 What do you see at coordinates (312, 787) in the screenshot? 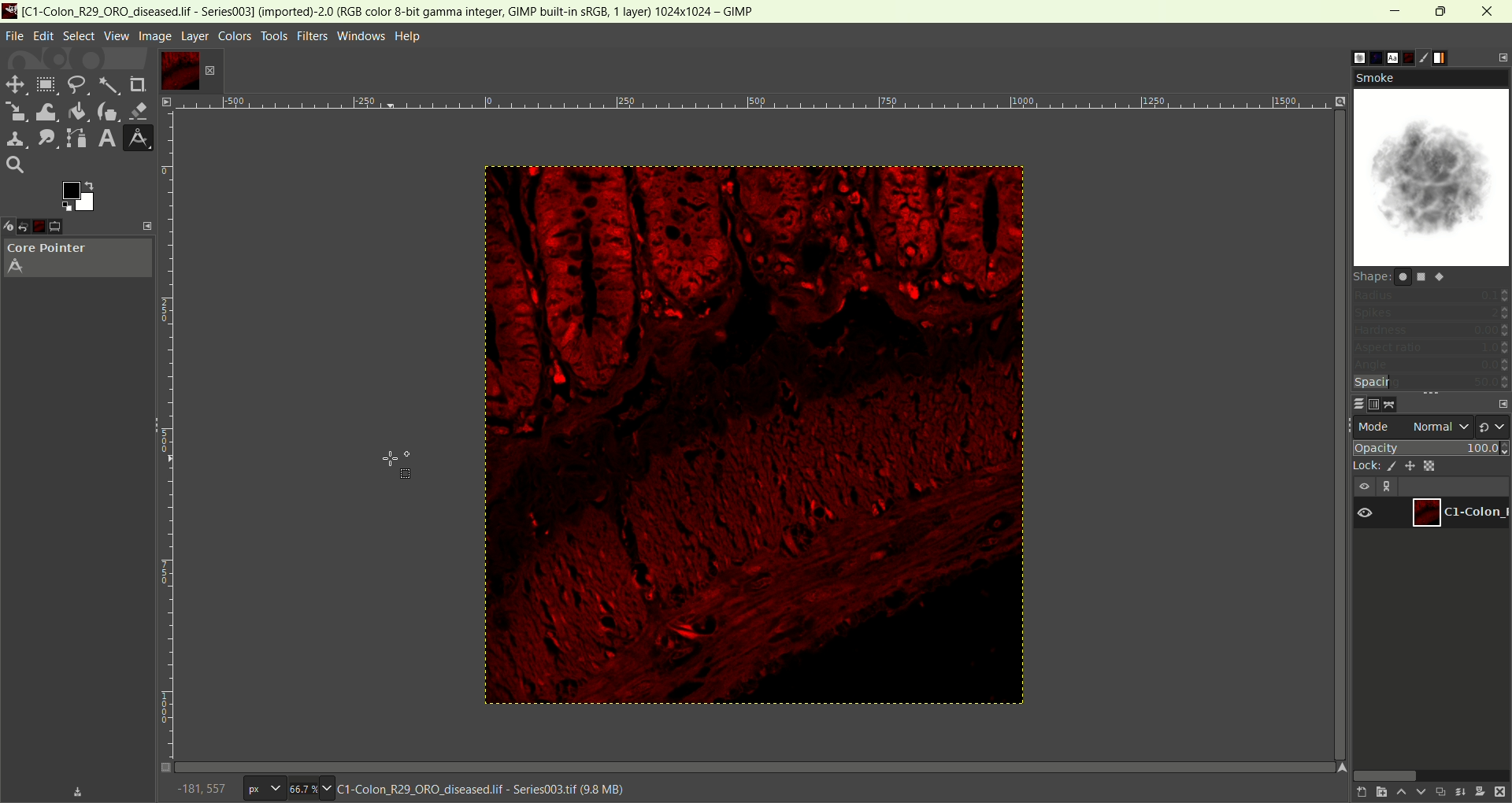
I see `zoom factor` at bounding box center [312, 787].